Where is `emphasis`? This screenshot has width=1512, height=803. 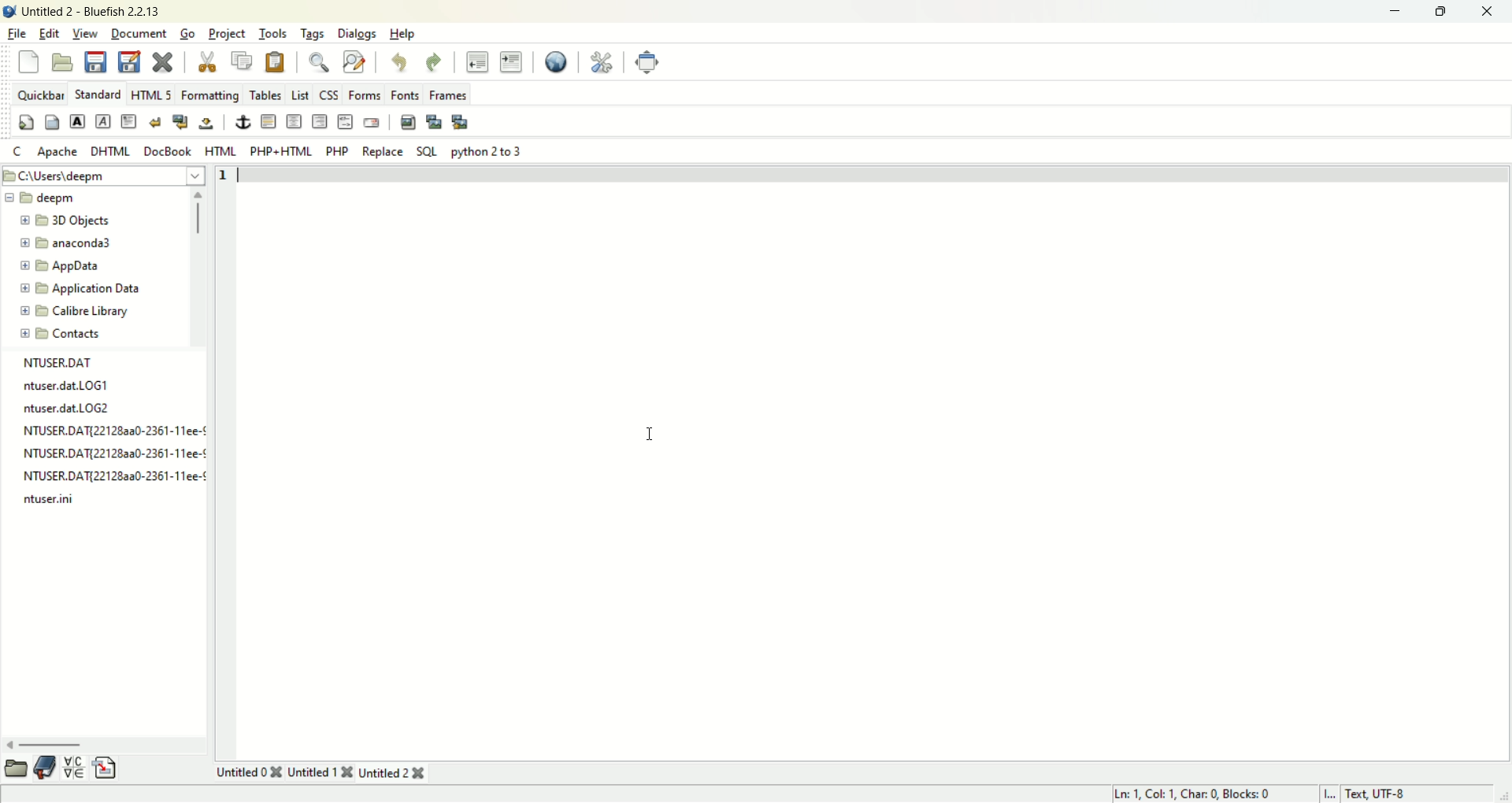 emphasis is located at coordinates (106, 122).